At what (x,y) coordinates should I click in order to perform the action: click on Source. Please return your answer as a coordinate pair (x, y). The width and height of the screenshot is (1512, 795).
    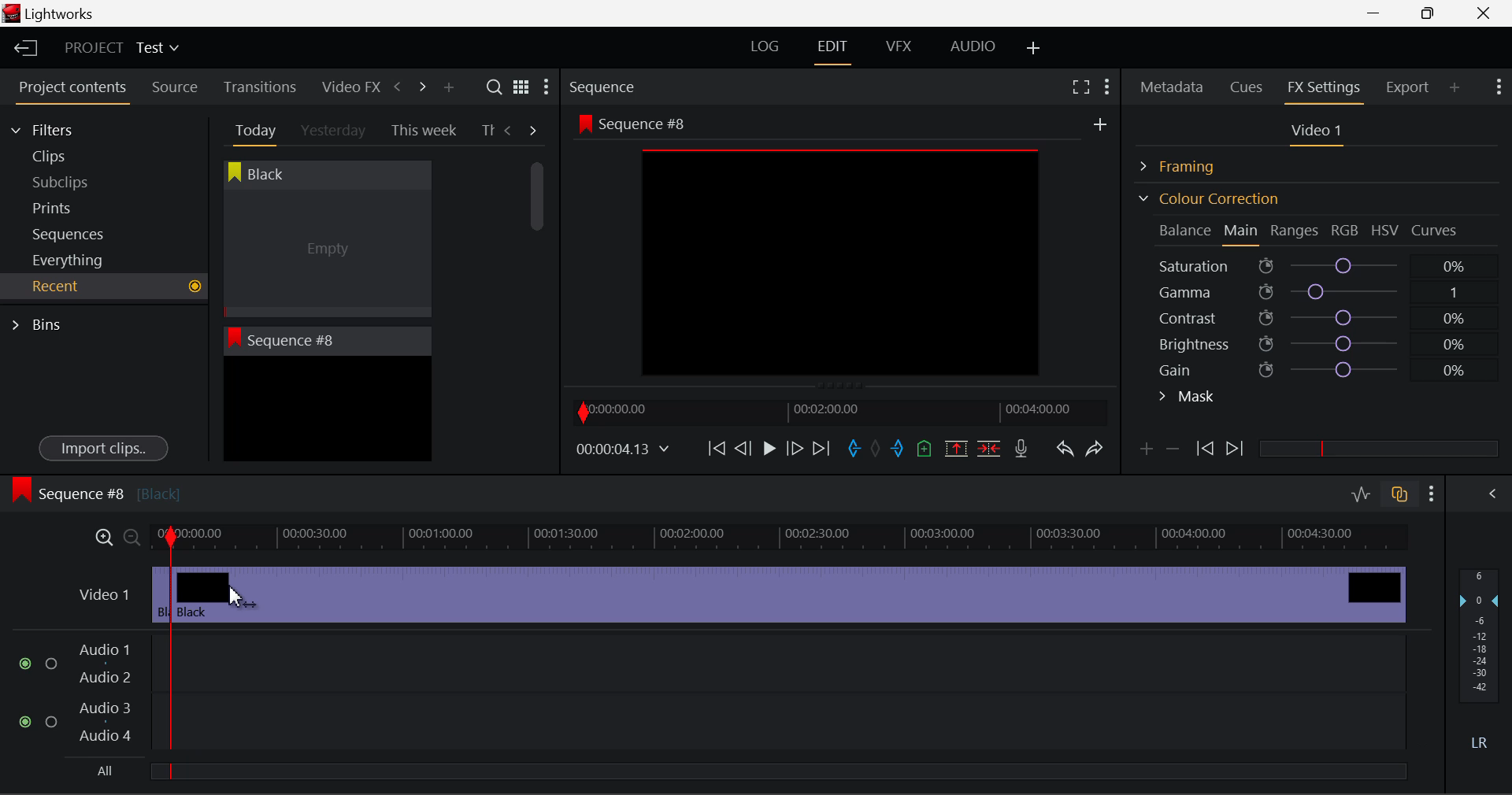
    Looking at the image, I should click on (175, 87).